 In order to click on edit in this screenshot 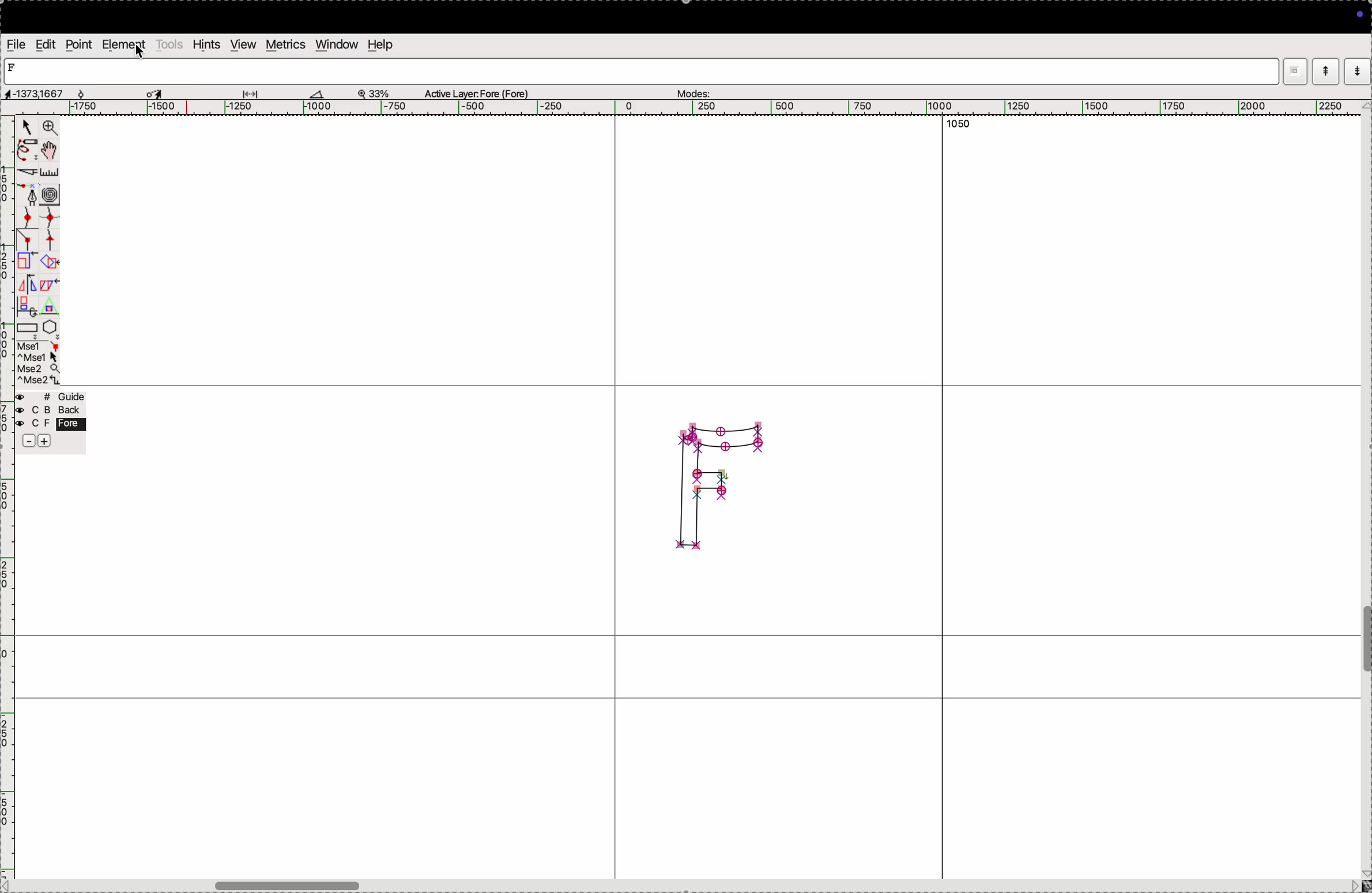, I will do `click(47, 44)`.